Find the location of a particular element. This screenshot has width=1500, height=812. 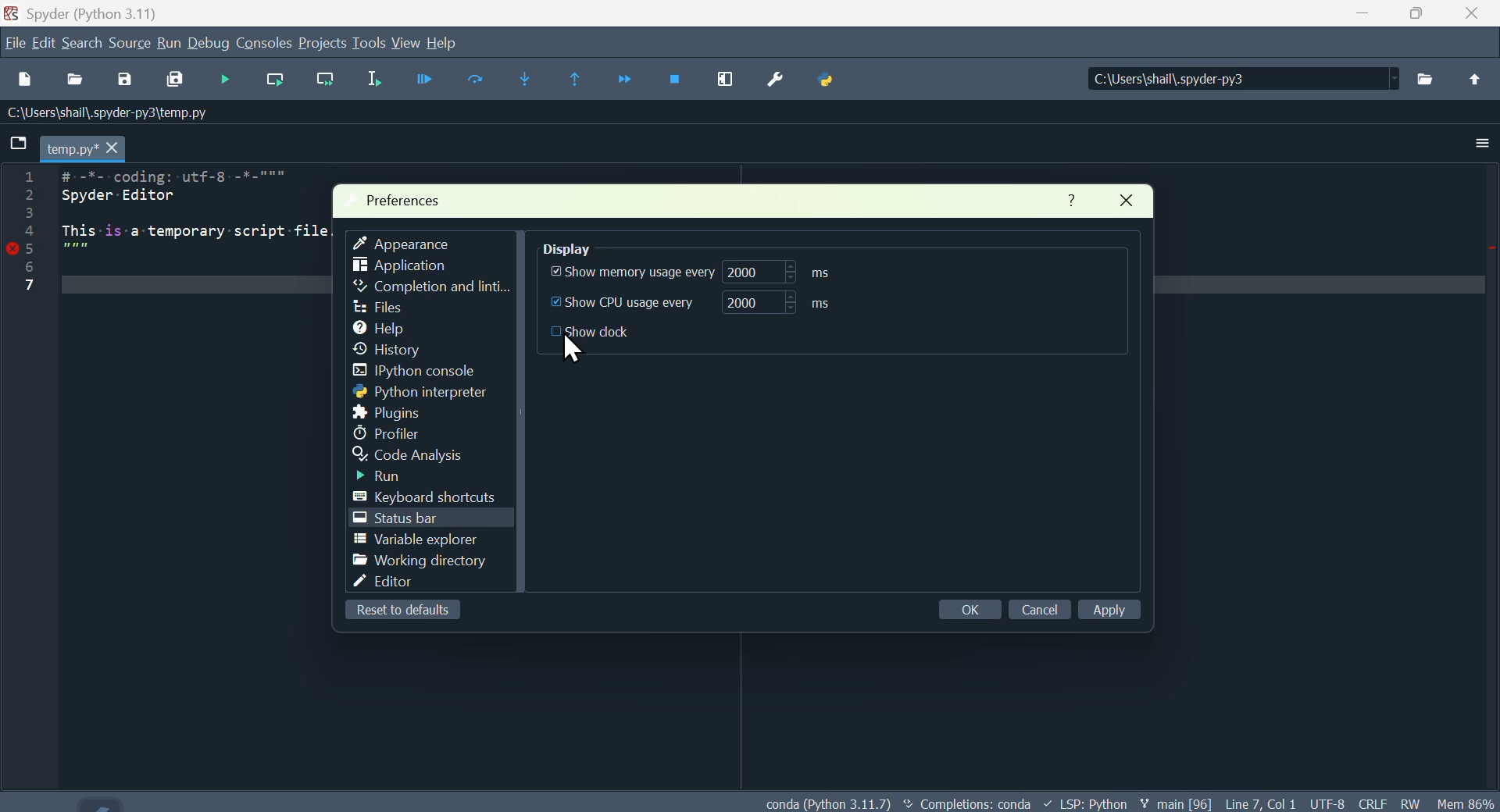

Application is located at coordinates (412, 265).